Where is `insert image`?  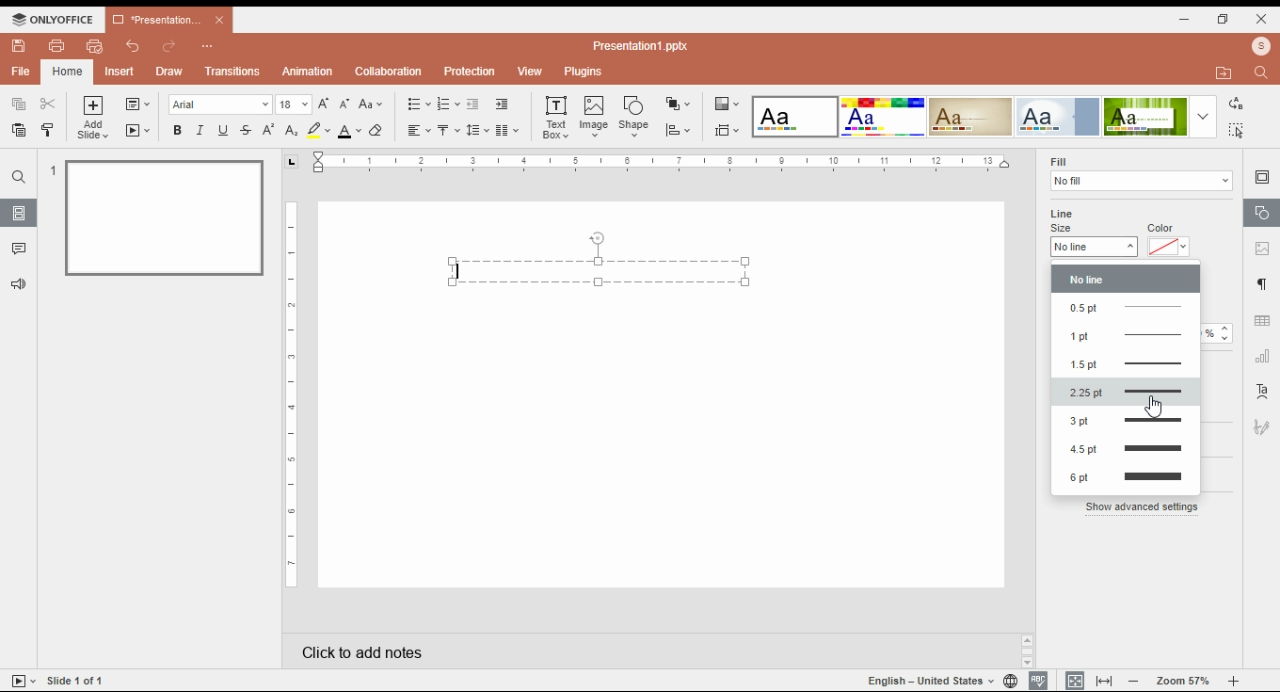 insert image is located at coordinates (595, 118).